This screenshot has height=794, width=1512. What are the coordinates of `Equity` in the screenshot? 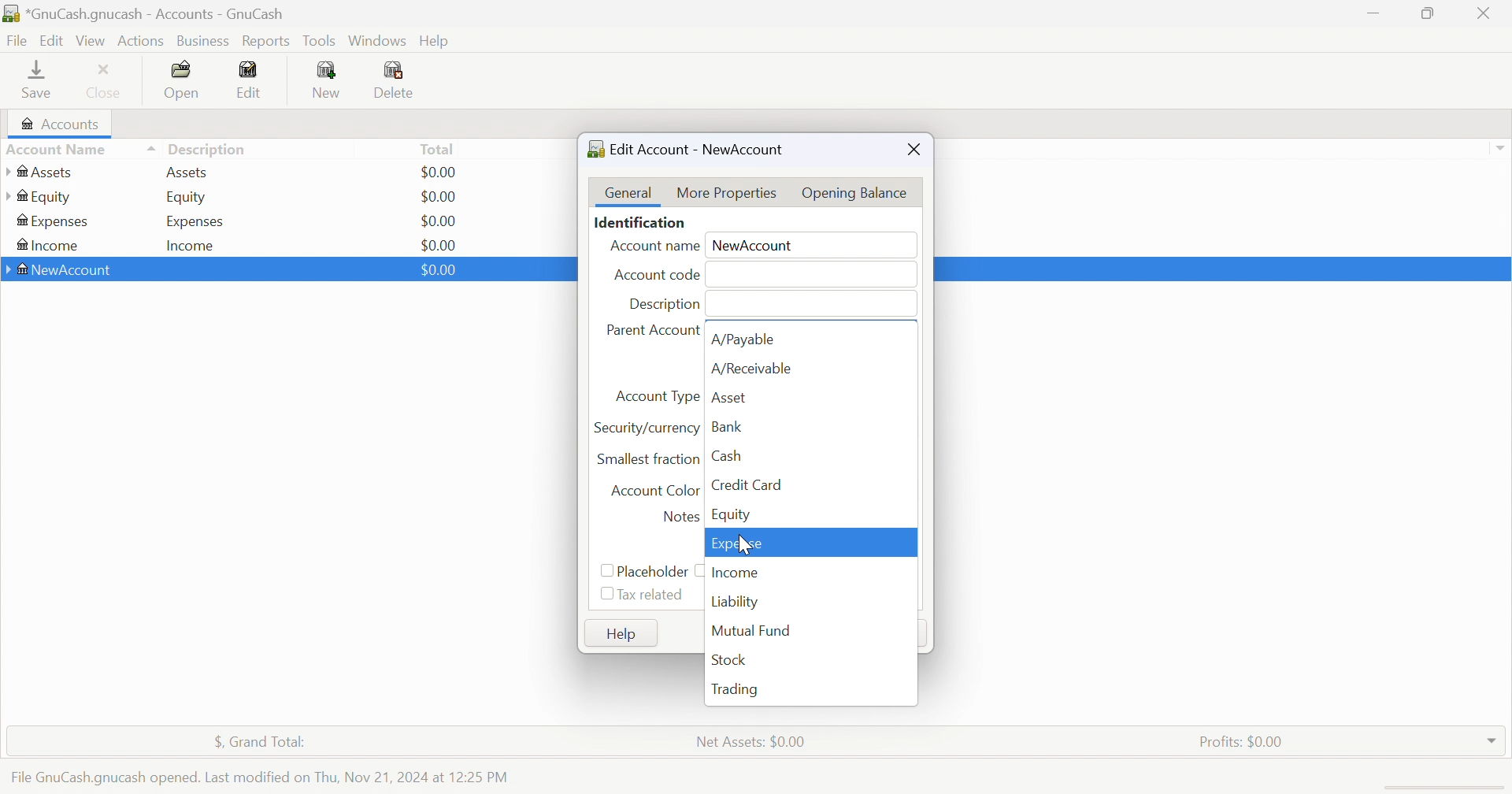 It's located at (39, 197).